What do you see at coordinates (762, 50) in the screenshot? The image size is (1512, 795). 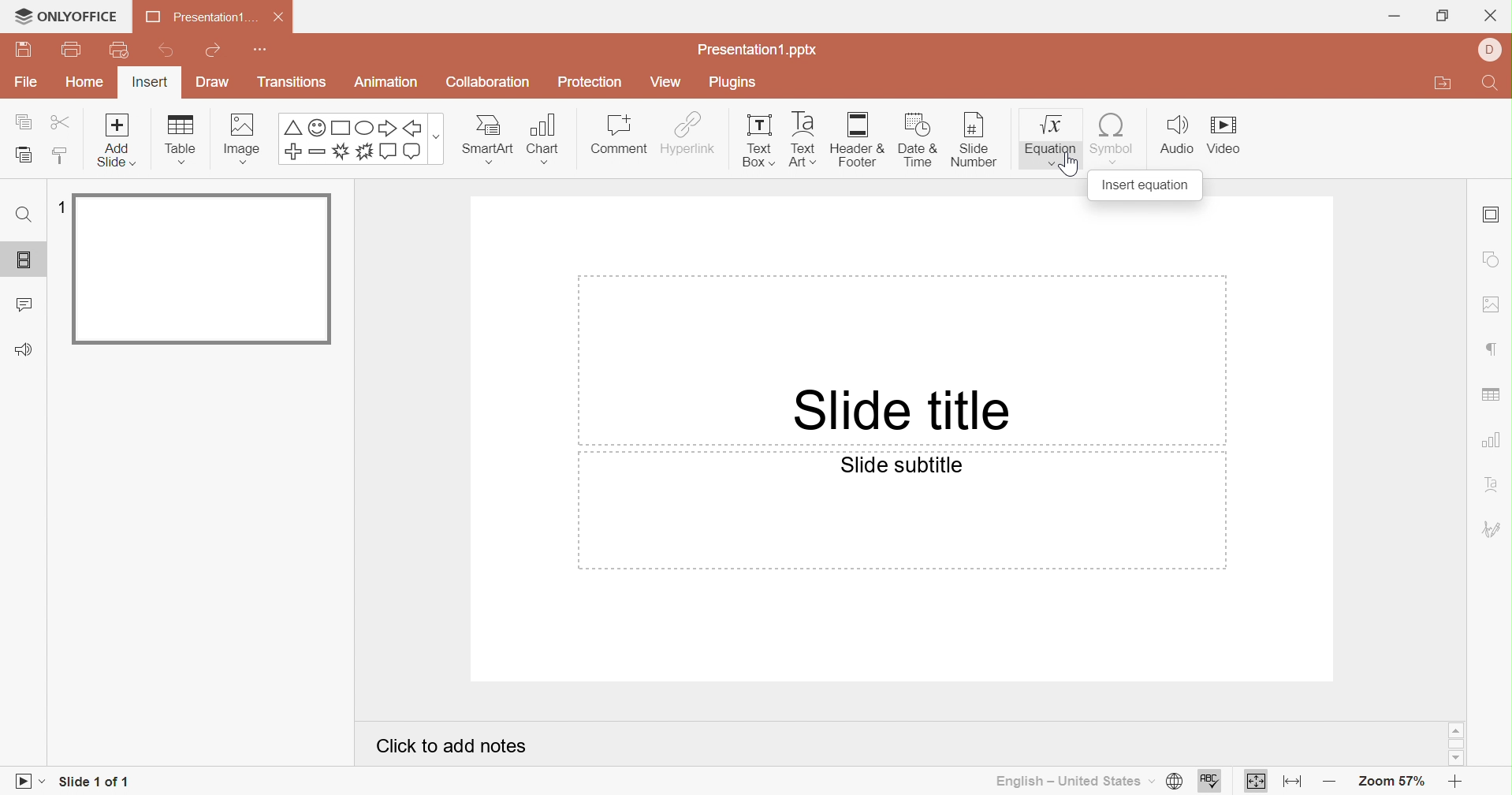 I see `Presentation.pptx` at bounding box center [762, 50].